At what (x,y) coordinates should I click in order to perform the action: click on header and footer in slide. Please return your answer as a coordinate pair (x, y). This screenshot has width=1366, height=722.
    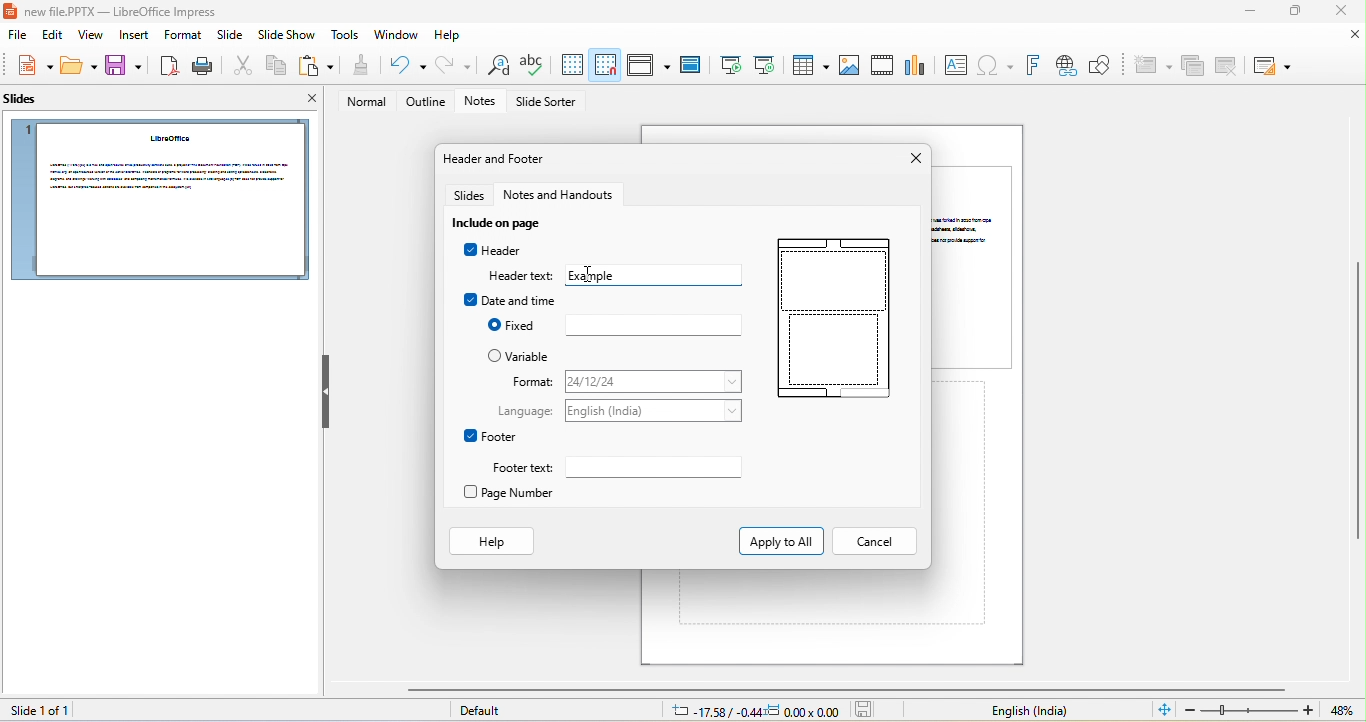
    Looking at the image, I should click on (831, 322).